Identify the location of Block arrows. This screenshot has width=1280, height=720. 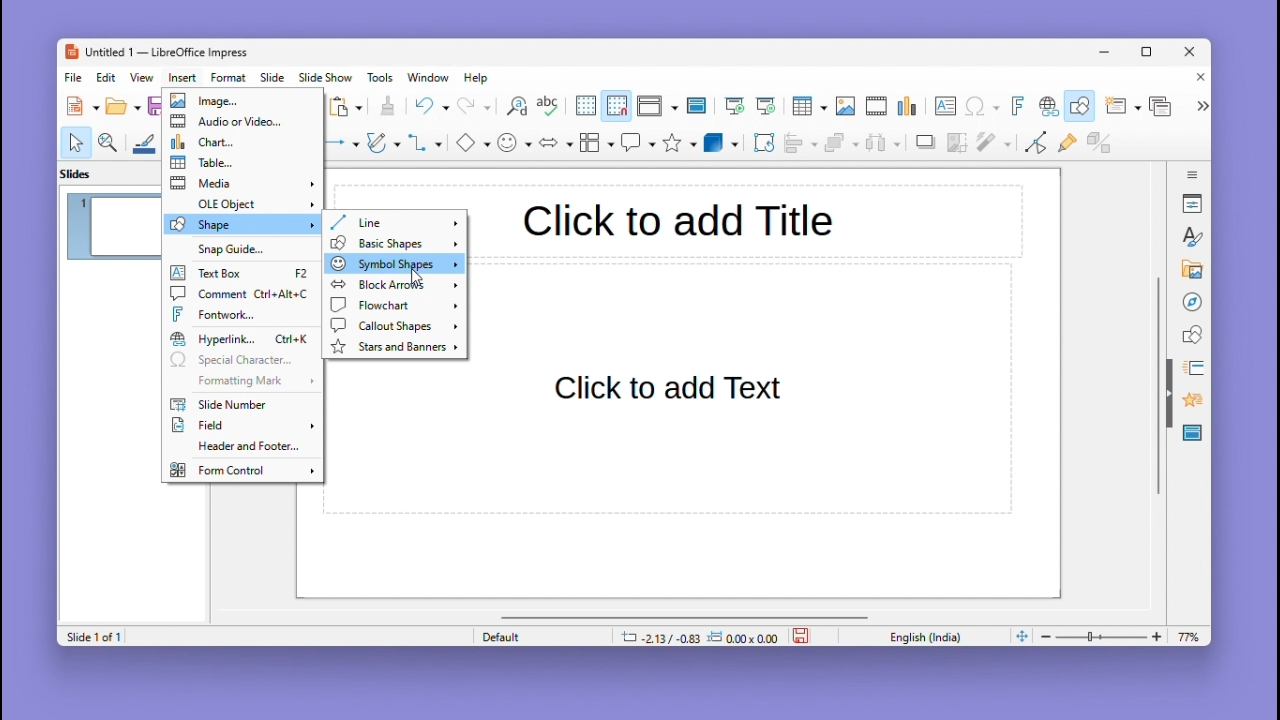
(392, 285).